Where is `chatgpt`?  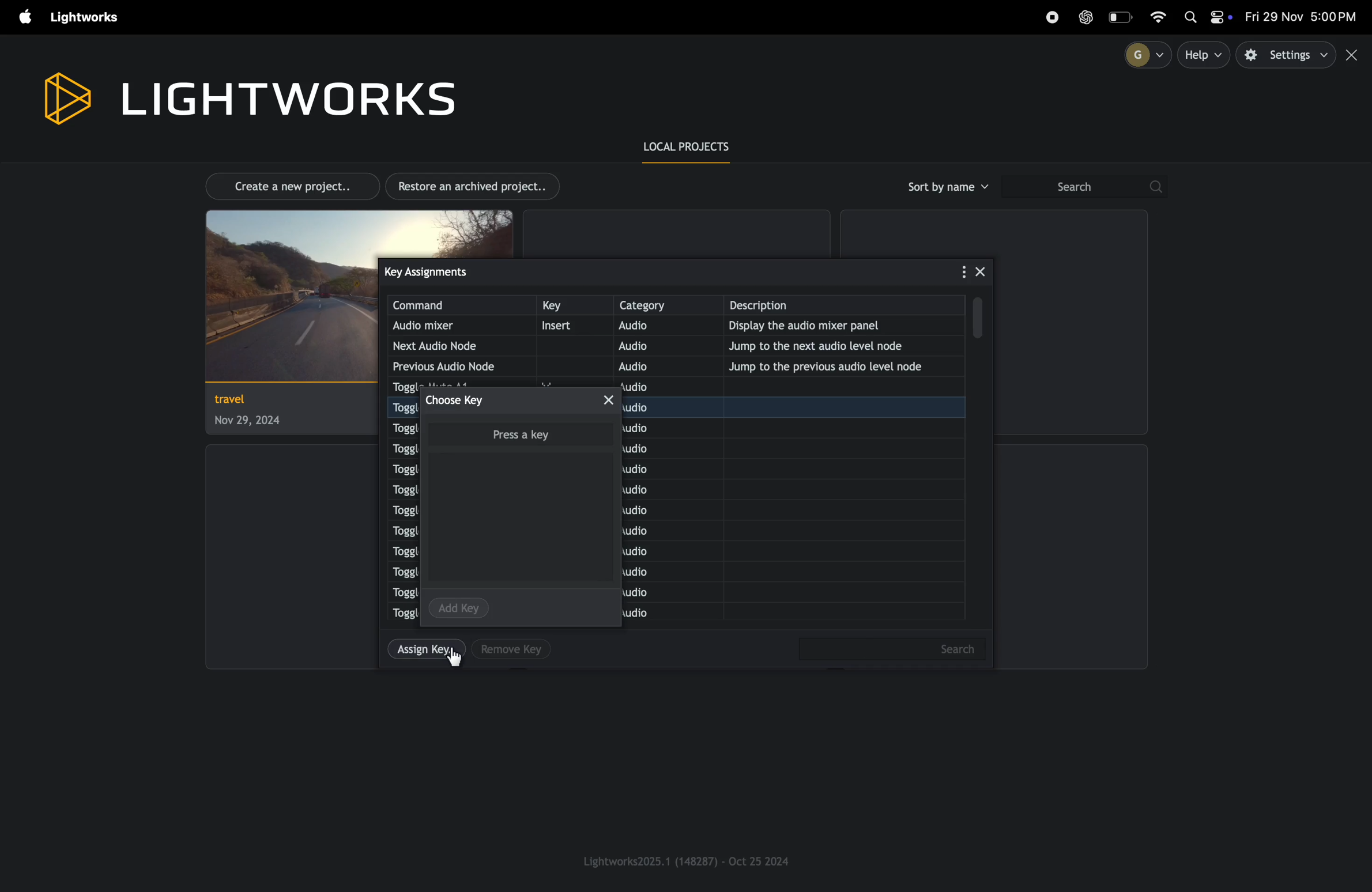
chatgpt is located at coordinates (1086, 17).